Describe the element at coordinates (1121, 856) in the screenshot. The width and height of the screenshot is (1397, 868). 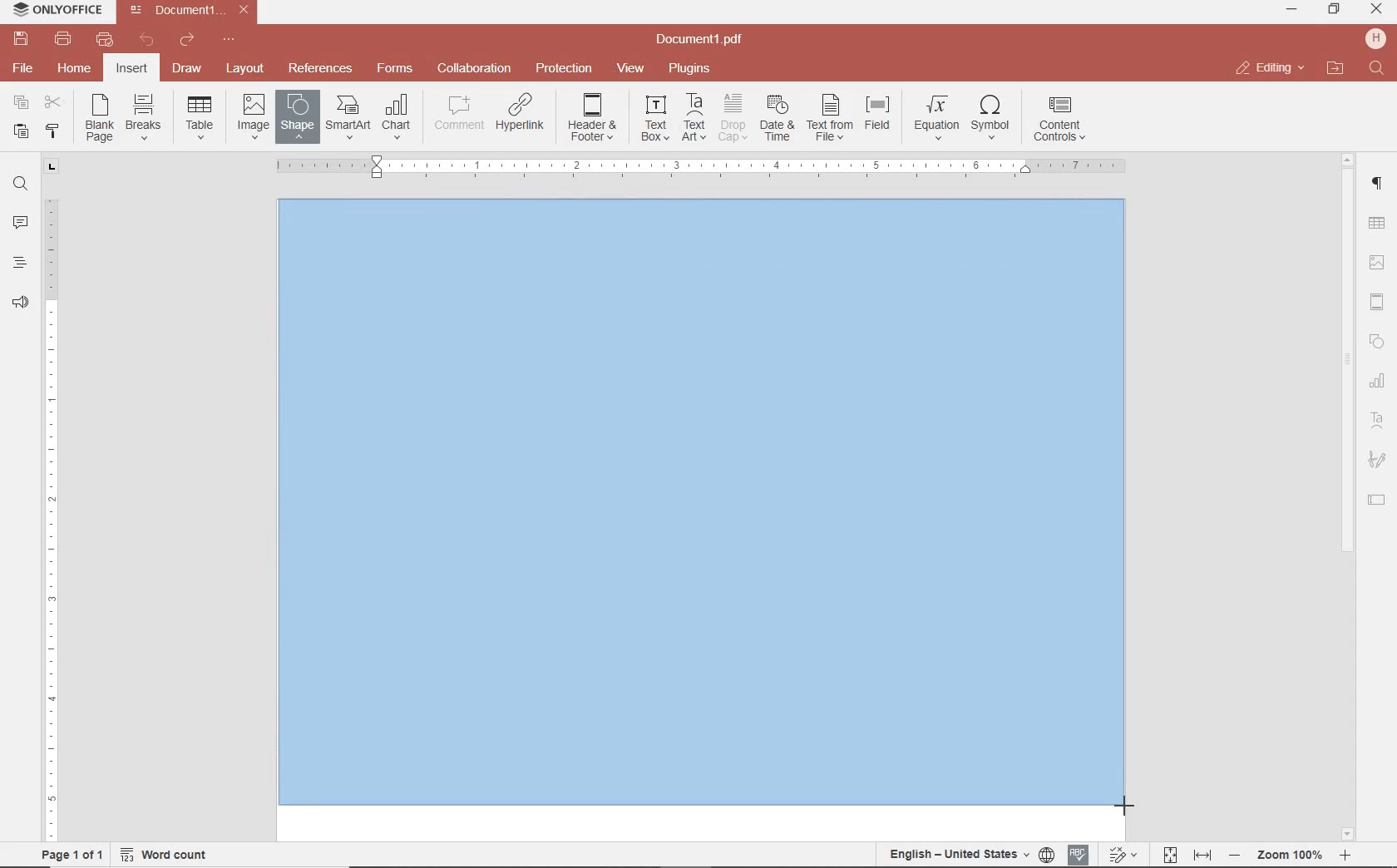
I see `track change` at that location.